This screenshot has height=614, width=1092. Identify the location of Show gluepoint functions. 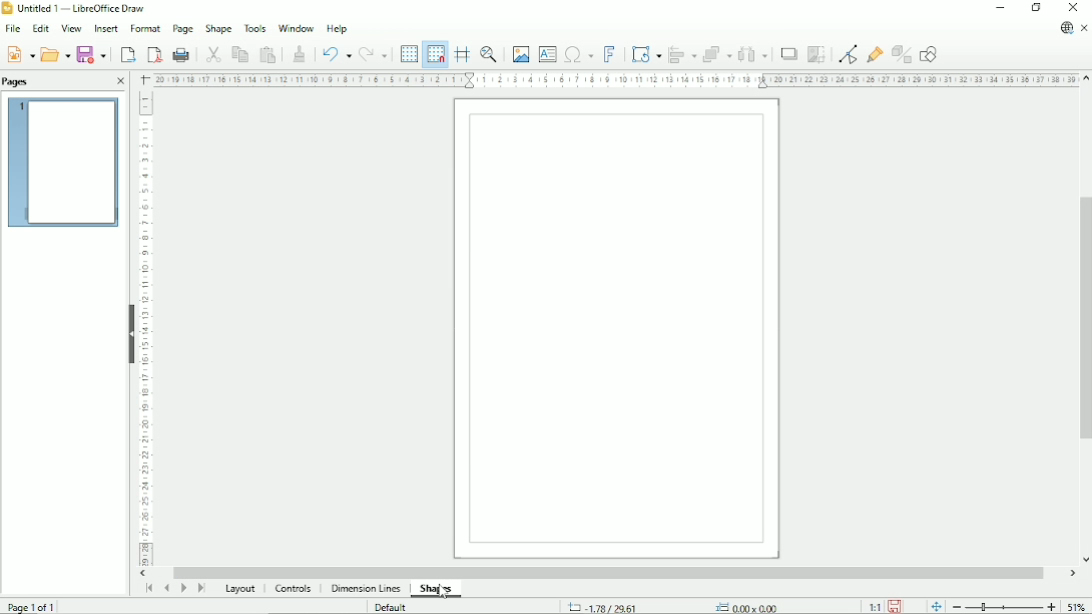
(873, 56).